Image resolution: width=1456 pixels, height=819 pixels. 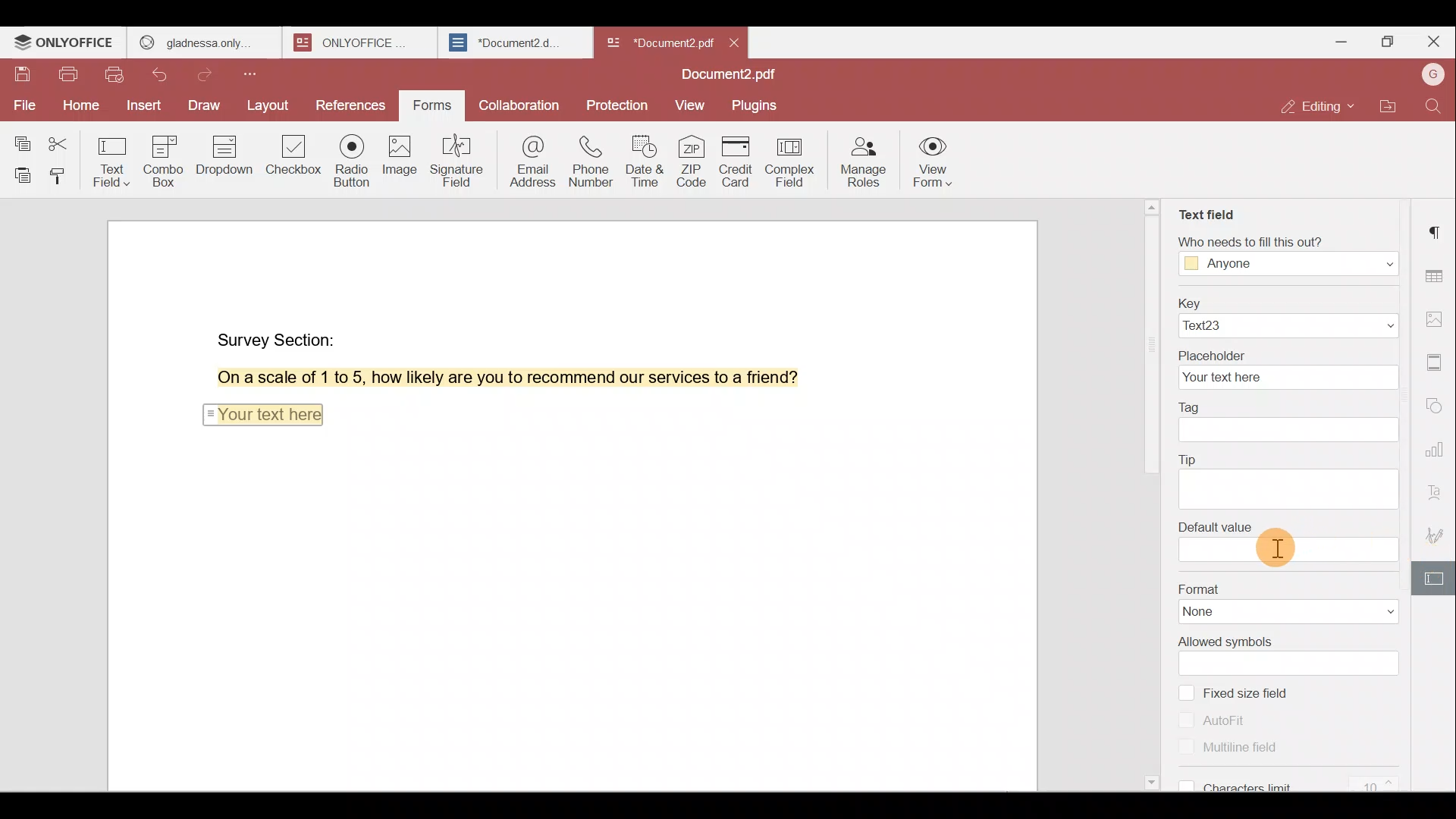 What do you see at coordinates (268, 106) in the screenshot?
I see `Layout` at bounding box center [268, 106].